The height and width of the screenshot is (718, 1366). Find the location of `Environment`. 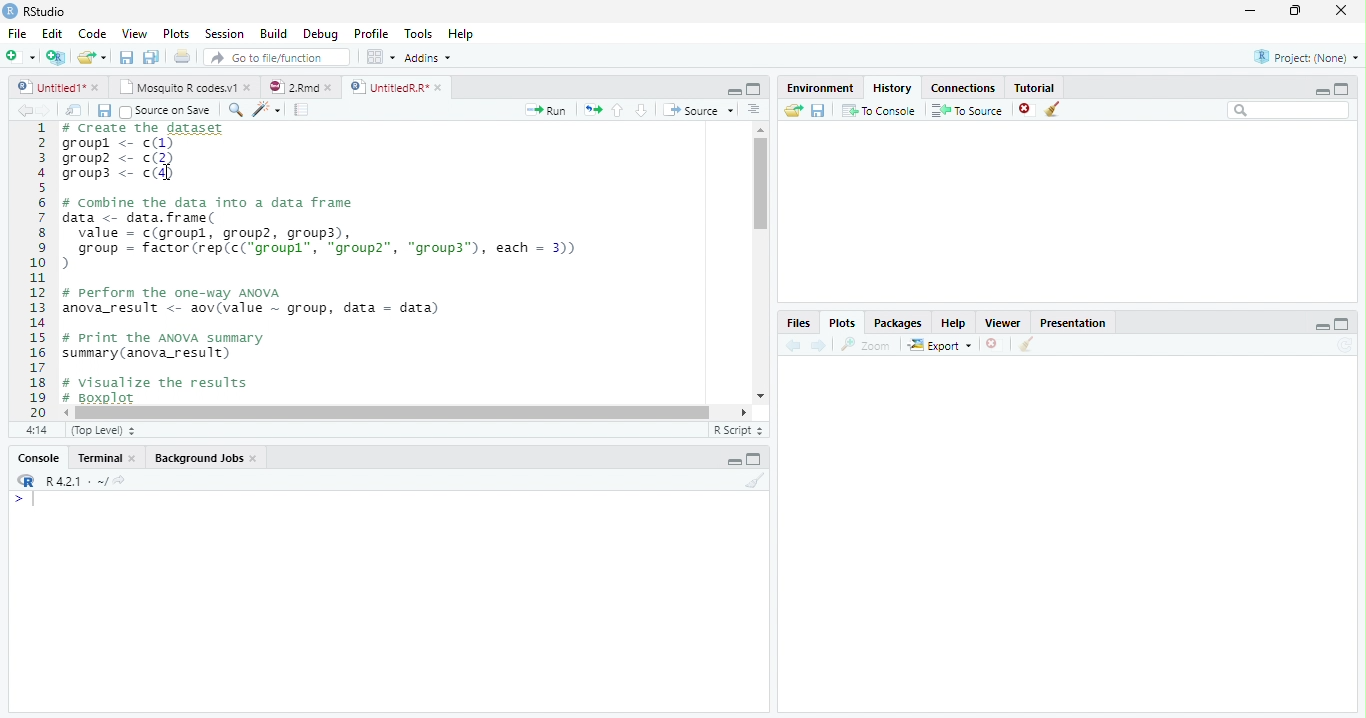

Environment is located at coordinates (820, 88).